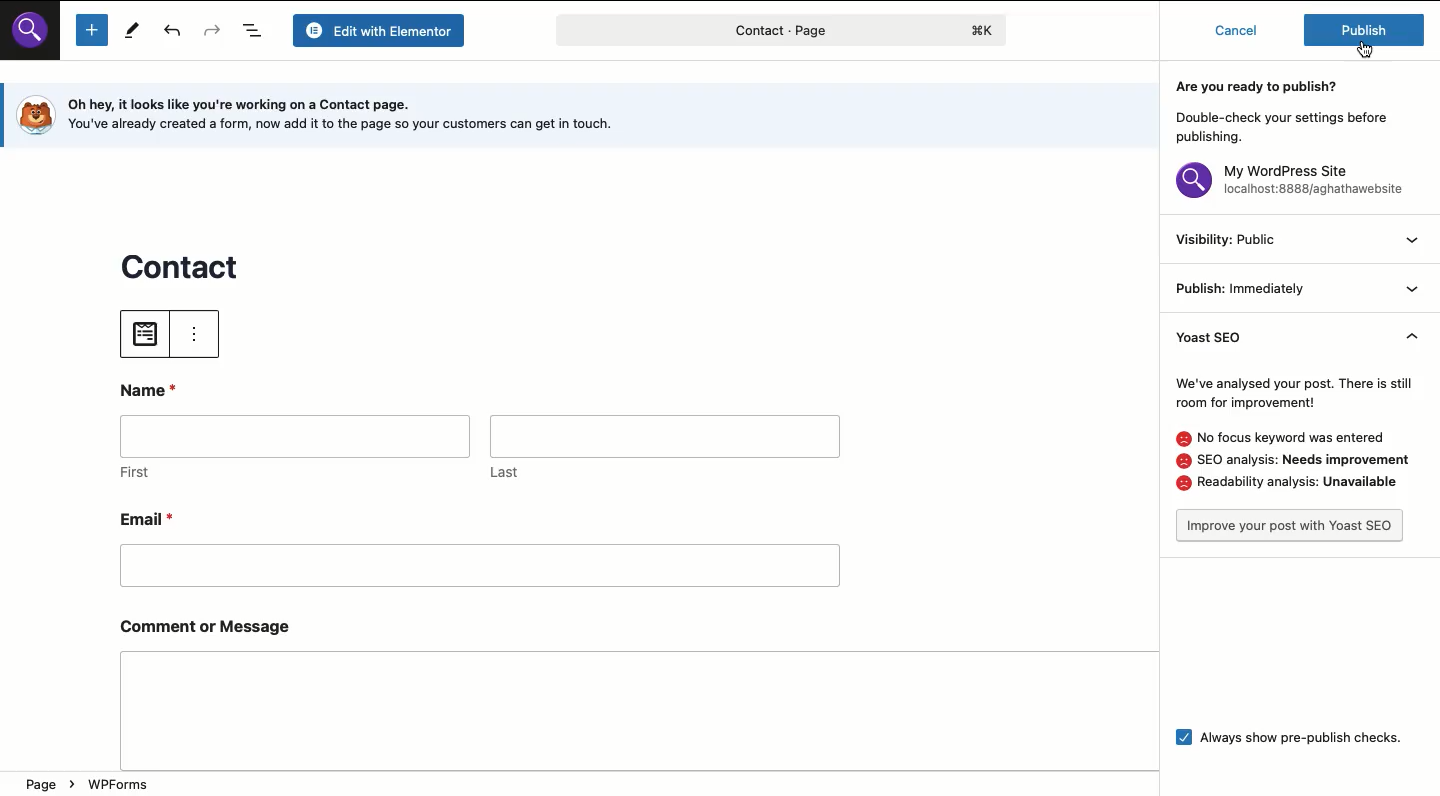  Describe the element at coordinates (479, 546) in the screenshot. I see `Email*` at that location.